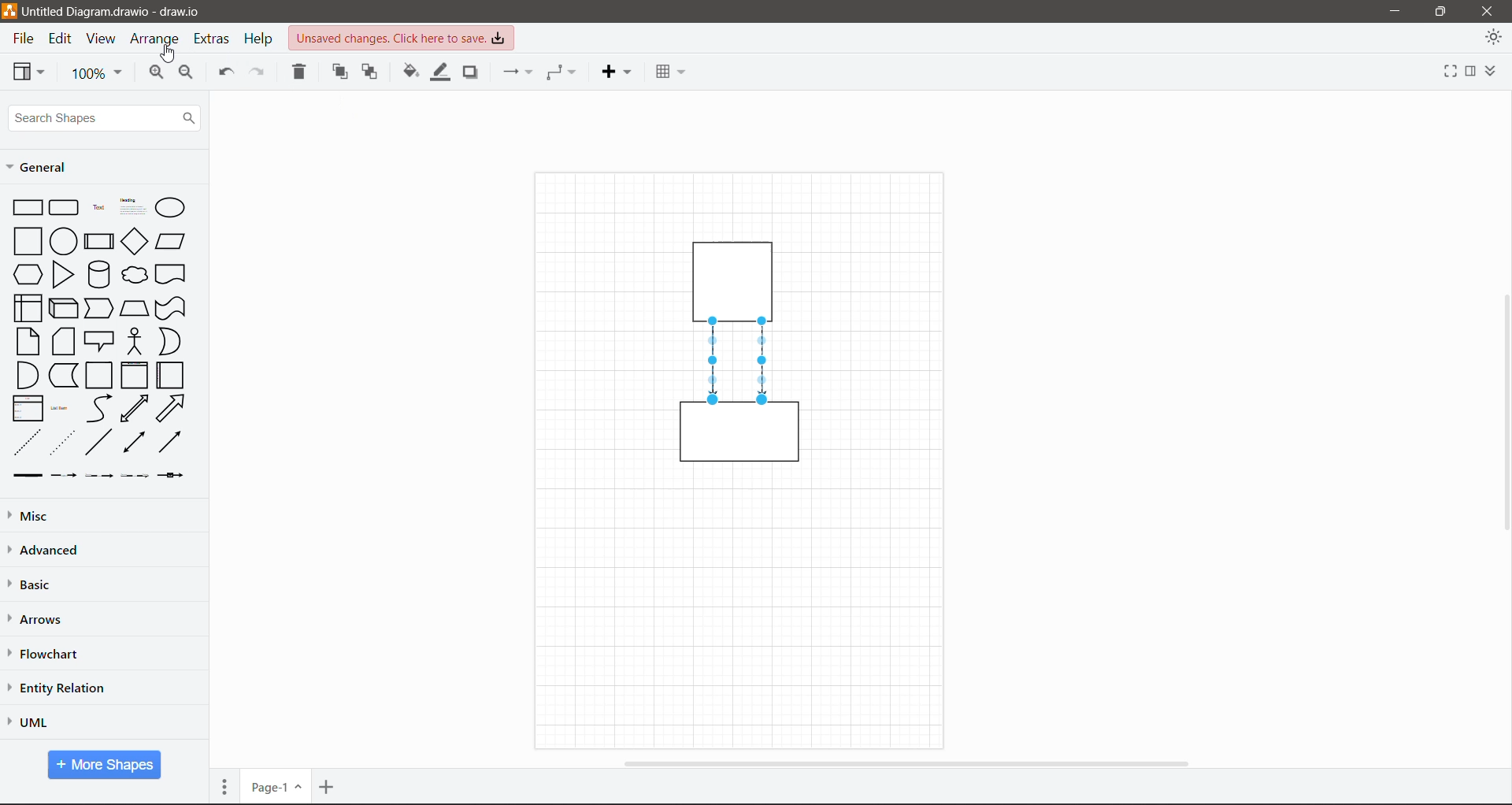 This screenshot has width=1512, height=805. Describe the element at coordinates (328, 787) in the screenshot. I see `Insert Page` at that location.